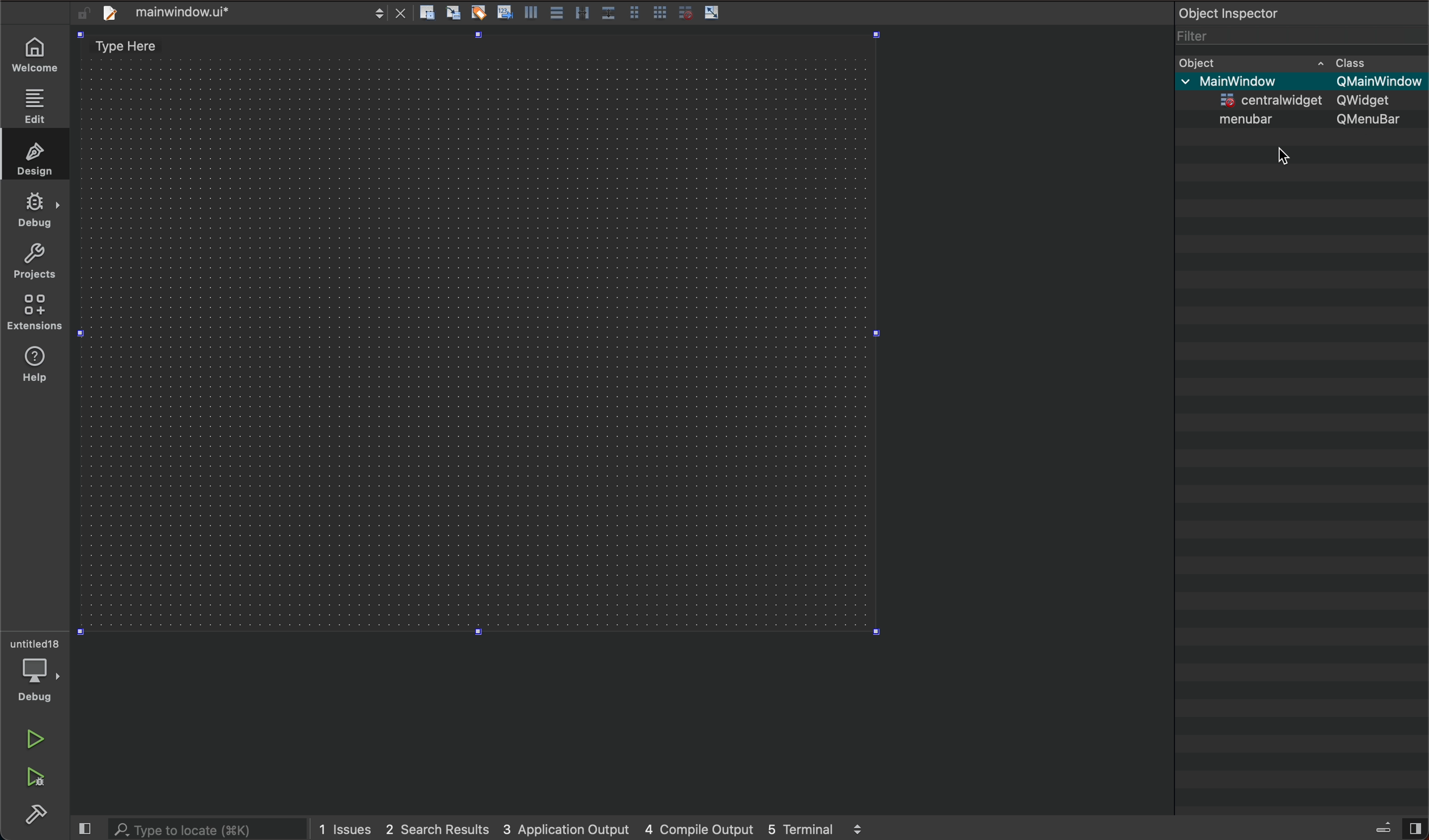 Image resolution: width=1429 pixels, height=840 pixels. I want to click on design, so click(33, 162).